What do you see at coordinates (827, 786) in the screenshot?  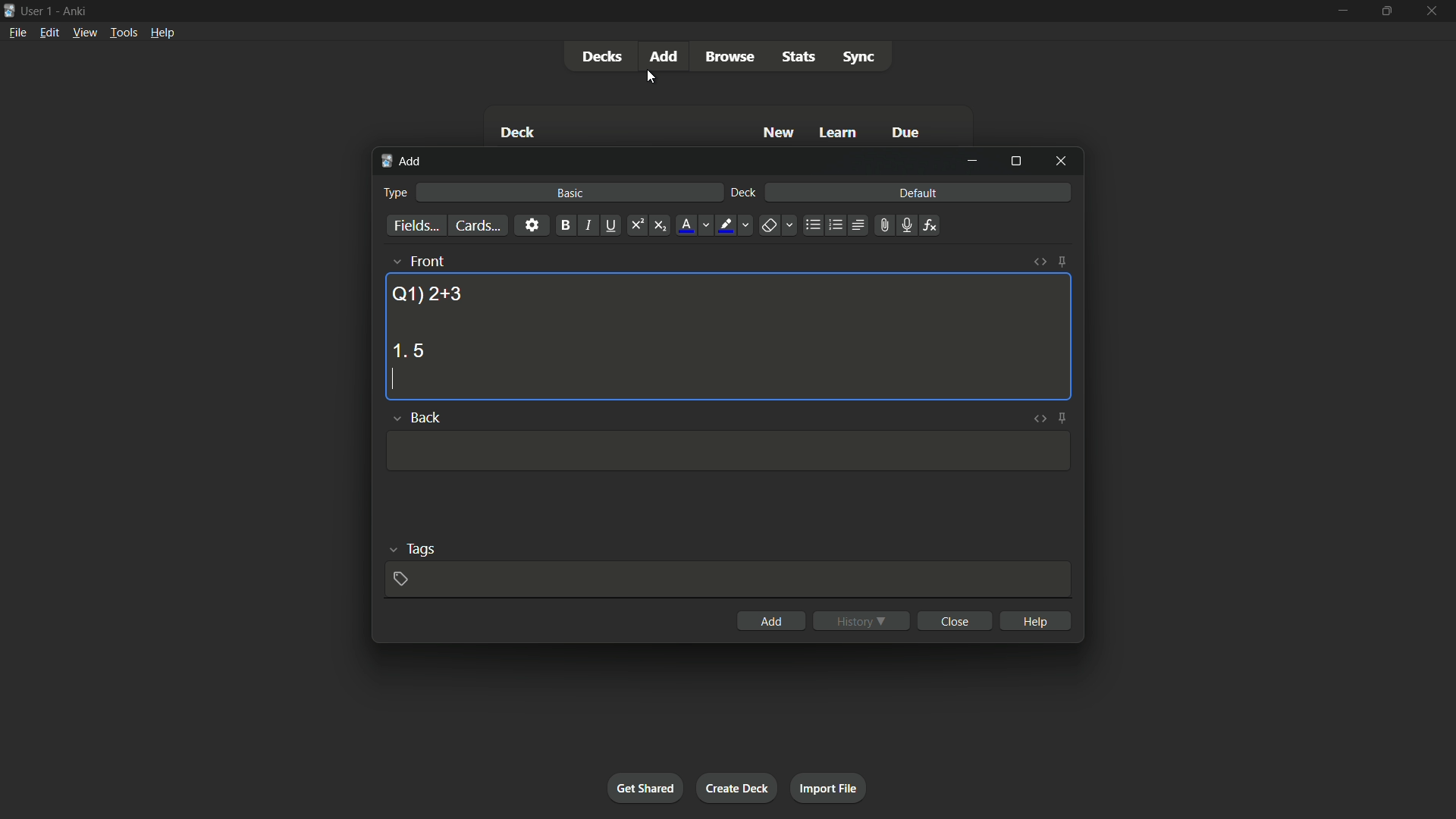 I see `import file` at bounding box center [827, 786].